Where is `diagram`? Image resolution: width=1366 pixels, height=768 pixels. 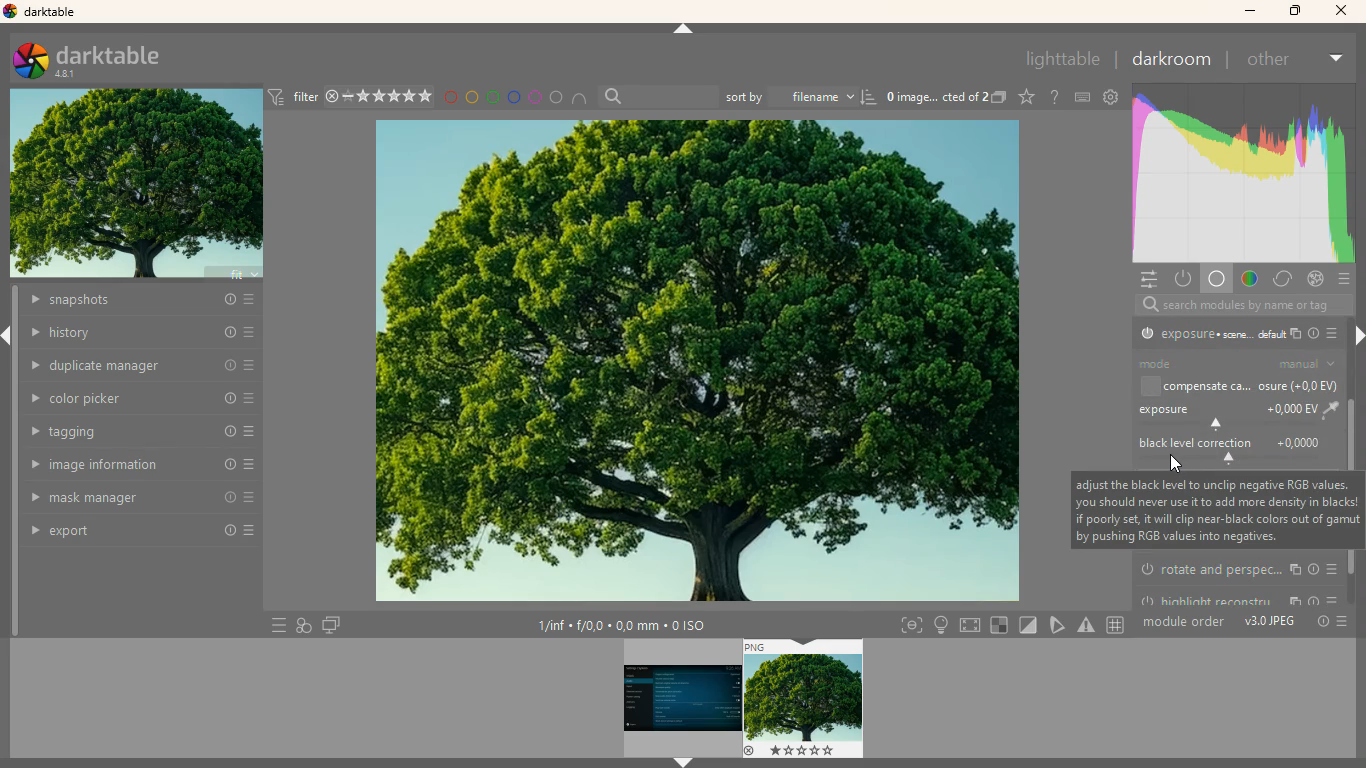 diagram is located at coordinates (301, 624).